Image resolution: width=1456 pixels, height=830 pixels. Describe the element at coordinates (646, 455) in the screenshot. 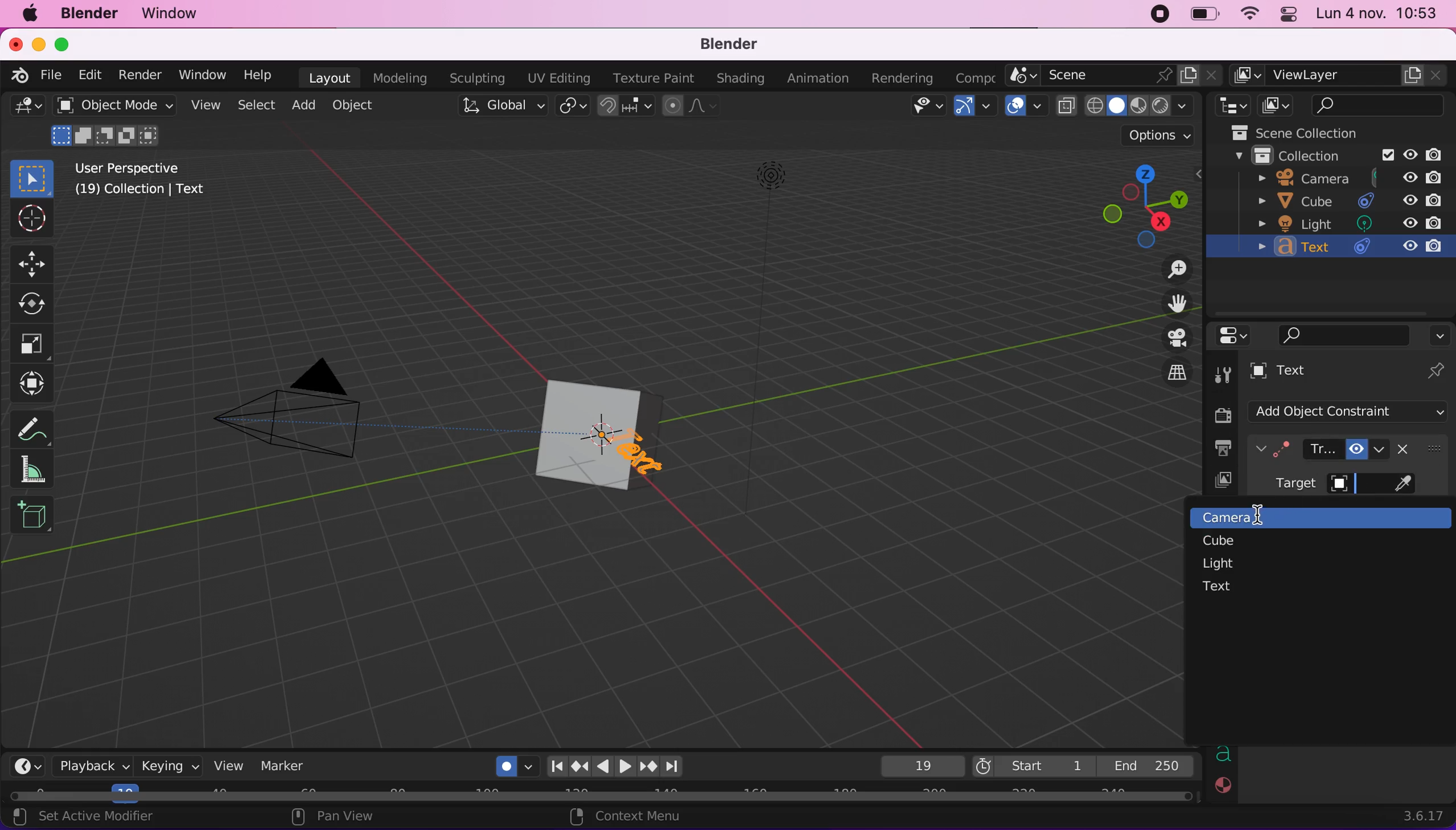

I see `text selected` at that location.